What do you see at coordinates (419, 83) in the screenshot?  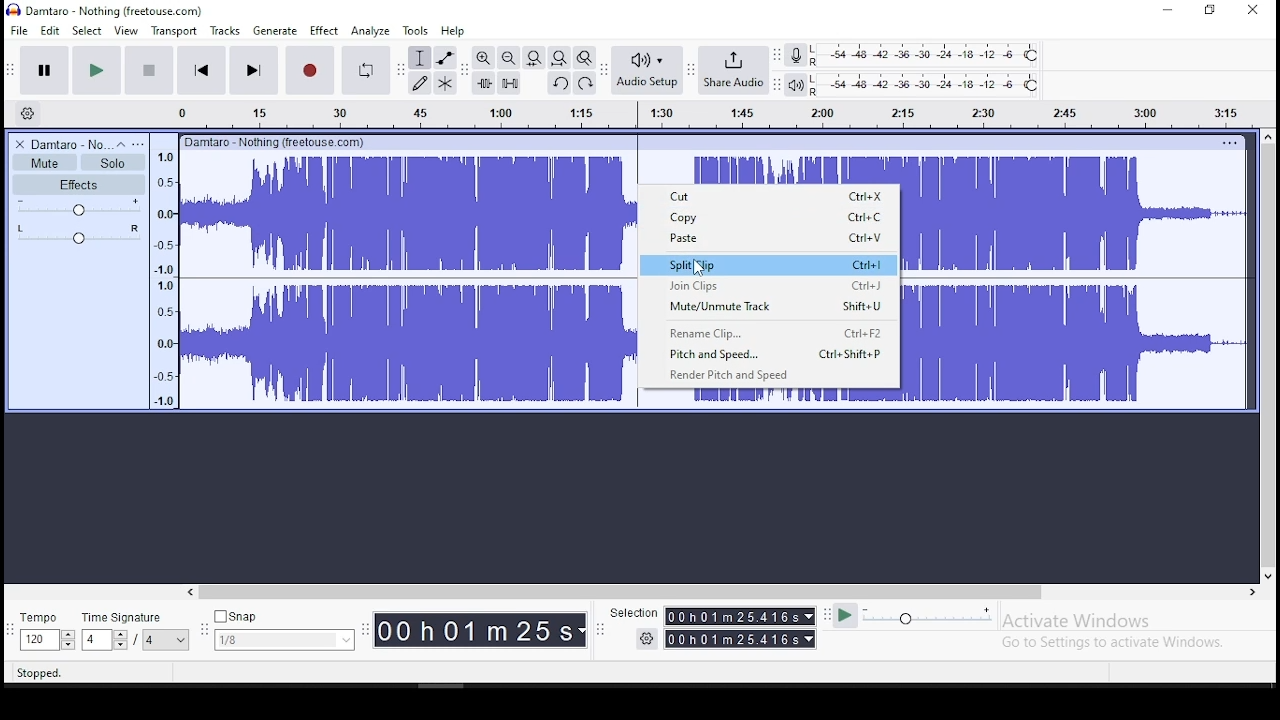 I see `draw tool` at bounding box center [419, 83].